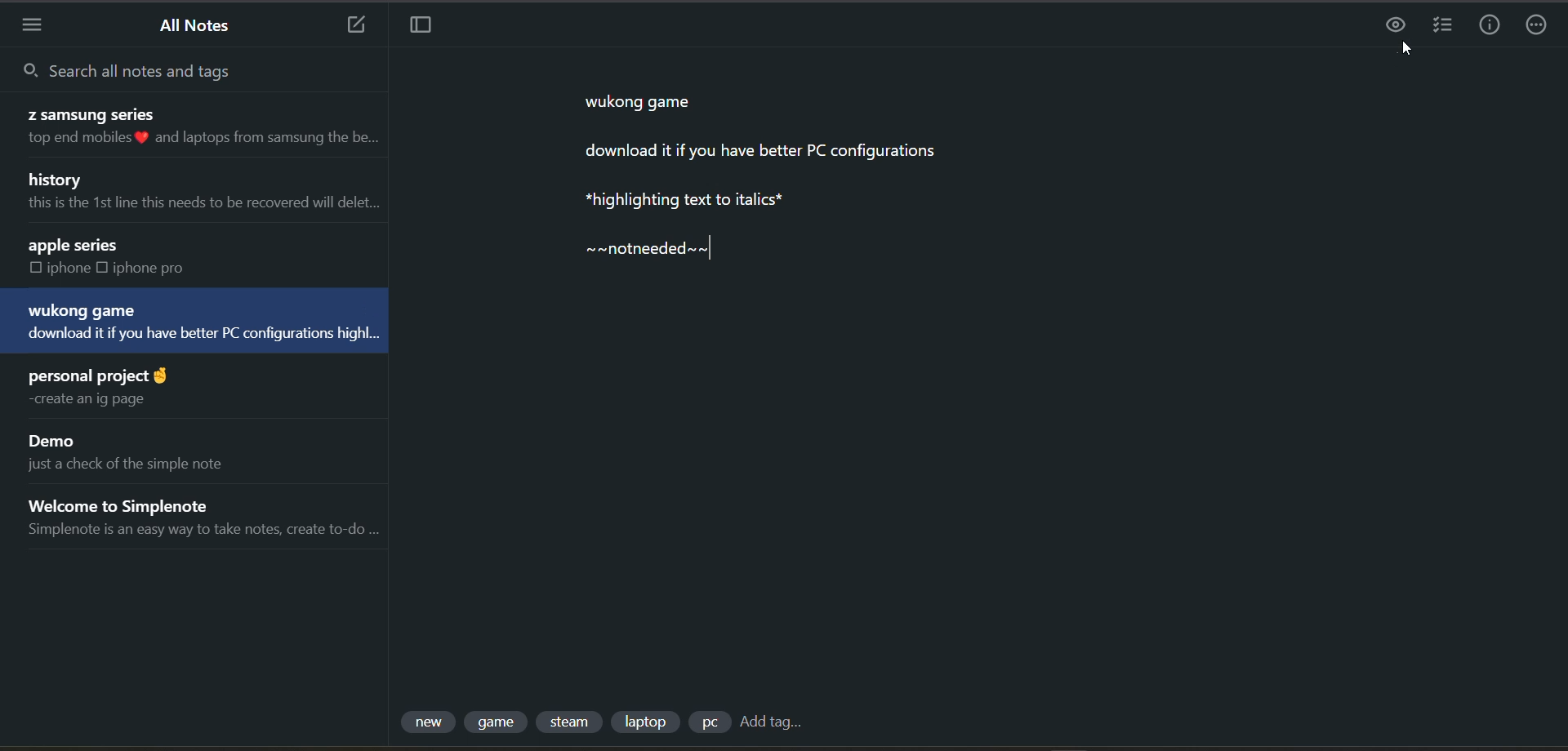 The image size is (1568, 751). What do you see at coordinates (777, 723) in the screenshot?
I see `add tag` at bounding box center [777, 723].